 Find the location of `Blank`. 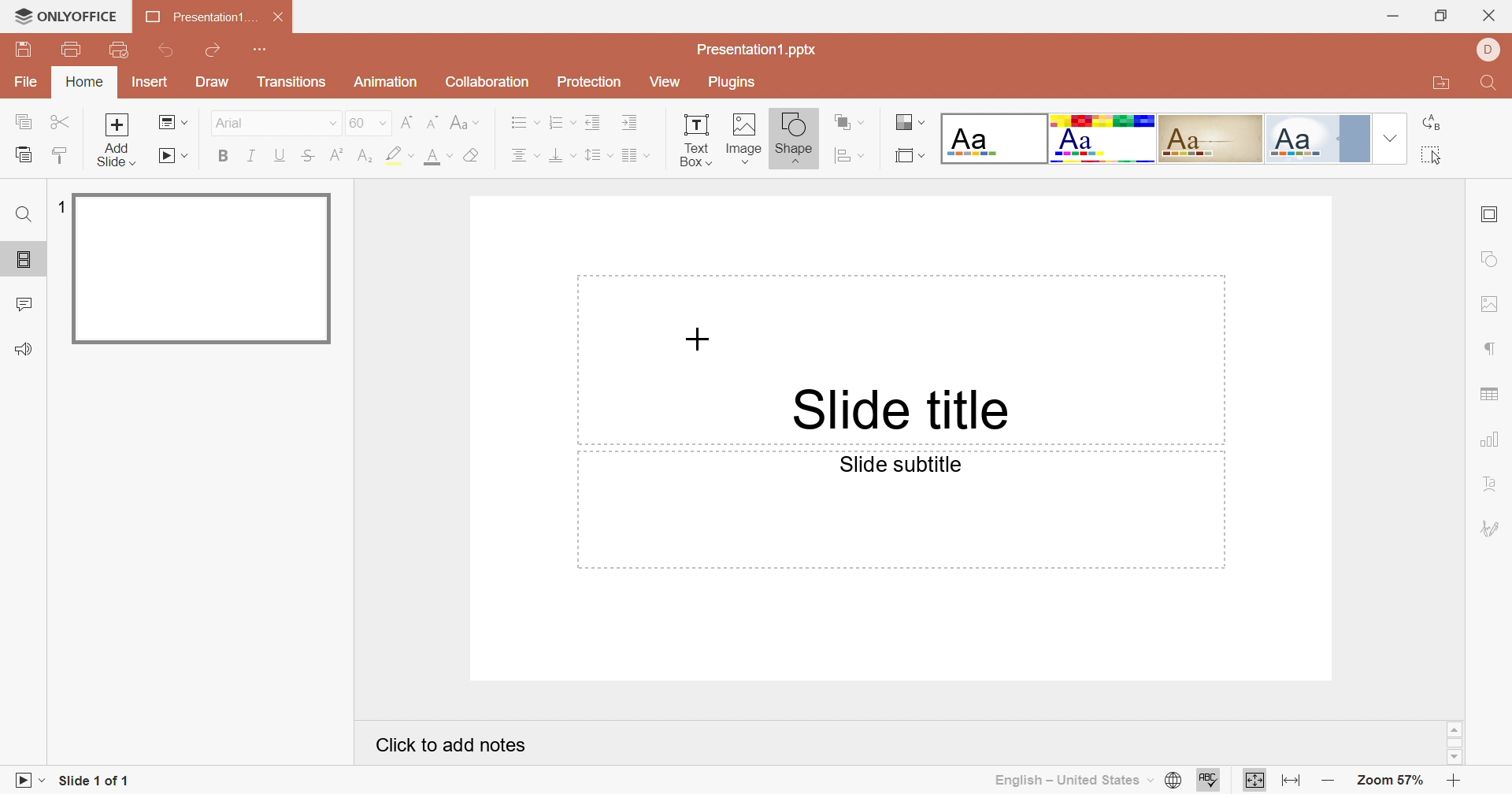

Blank is located at coordinates (992, 137).